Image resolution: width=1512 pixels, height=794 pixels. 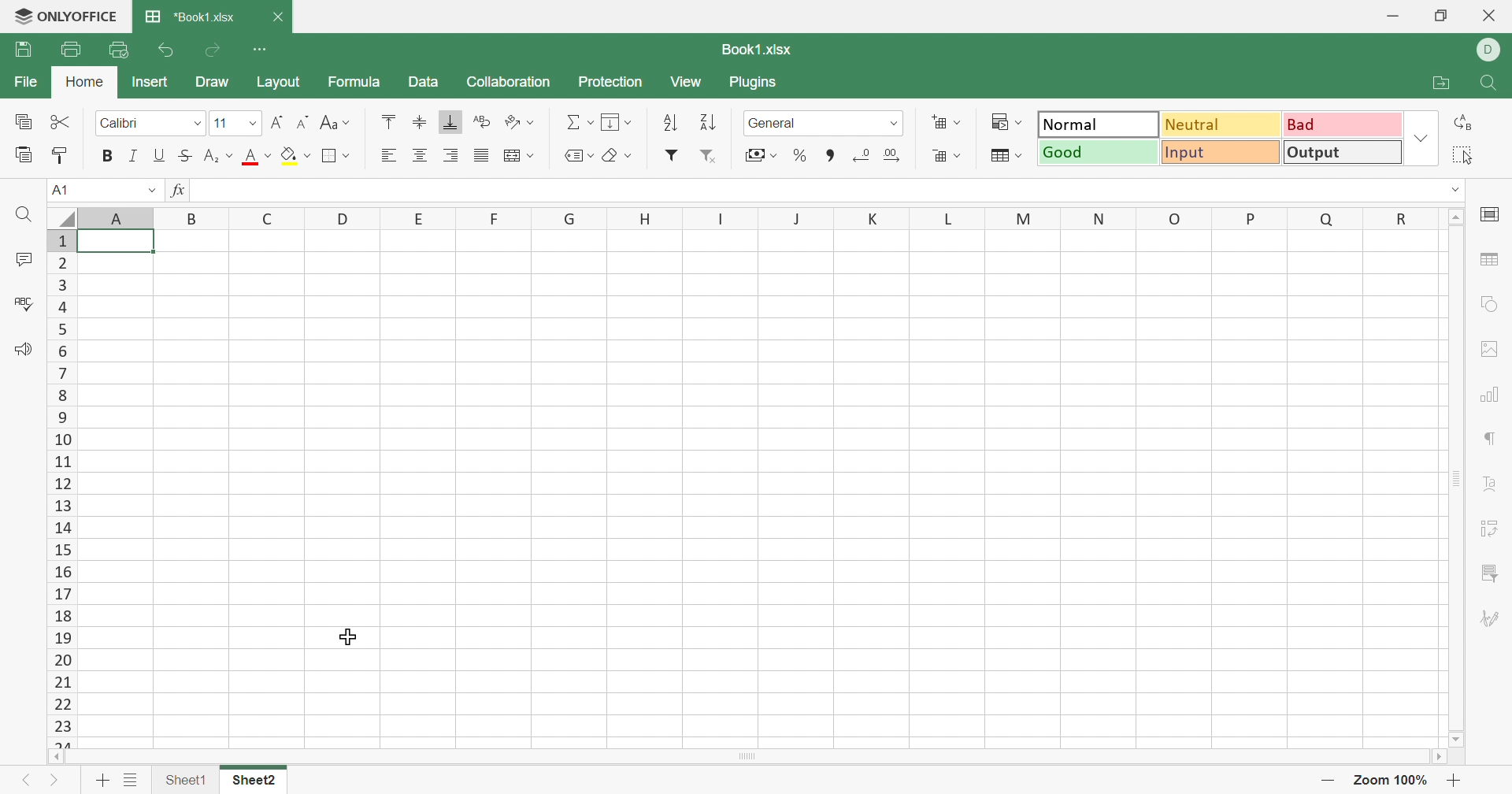 What do you see at coordinates (482, 158) in the screenshot?
I see `Justified` at bounding box center [482, 158].